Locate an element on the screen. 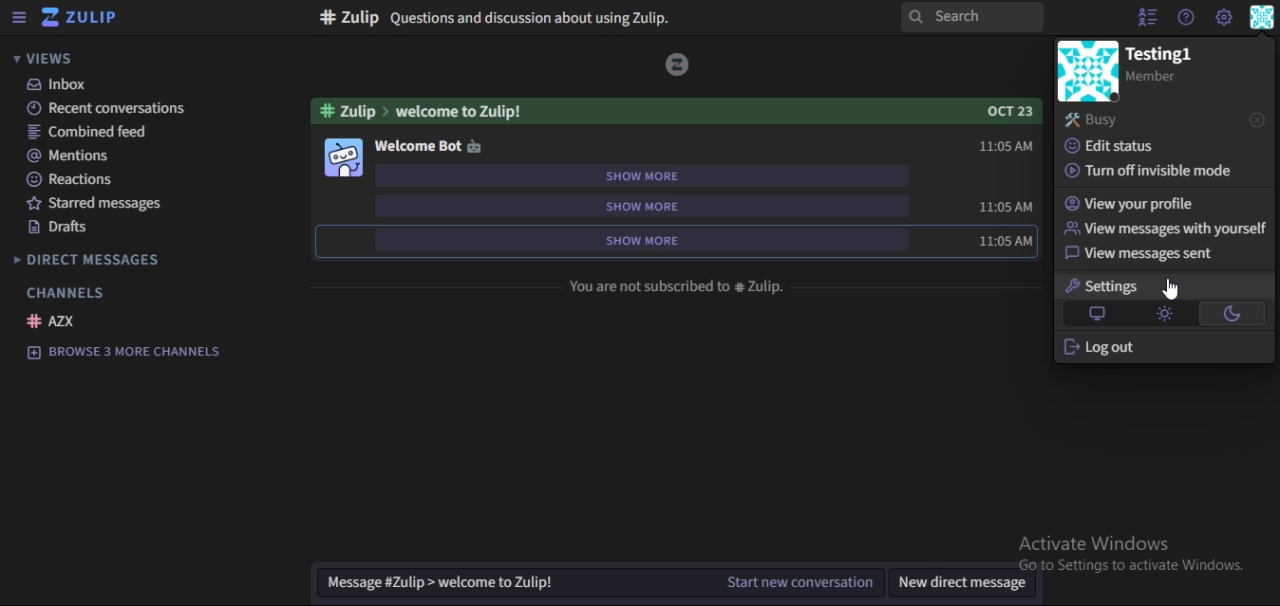 Image resolution: width=1280 pixels, height=606 pixels. cursor is located at coordinates (1174, 288).